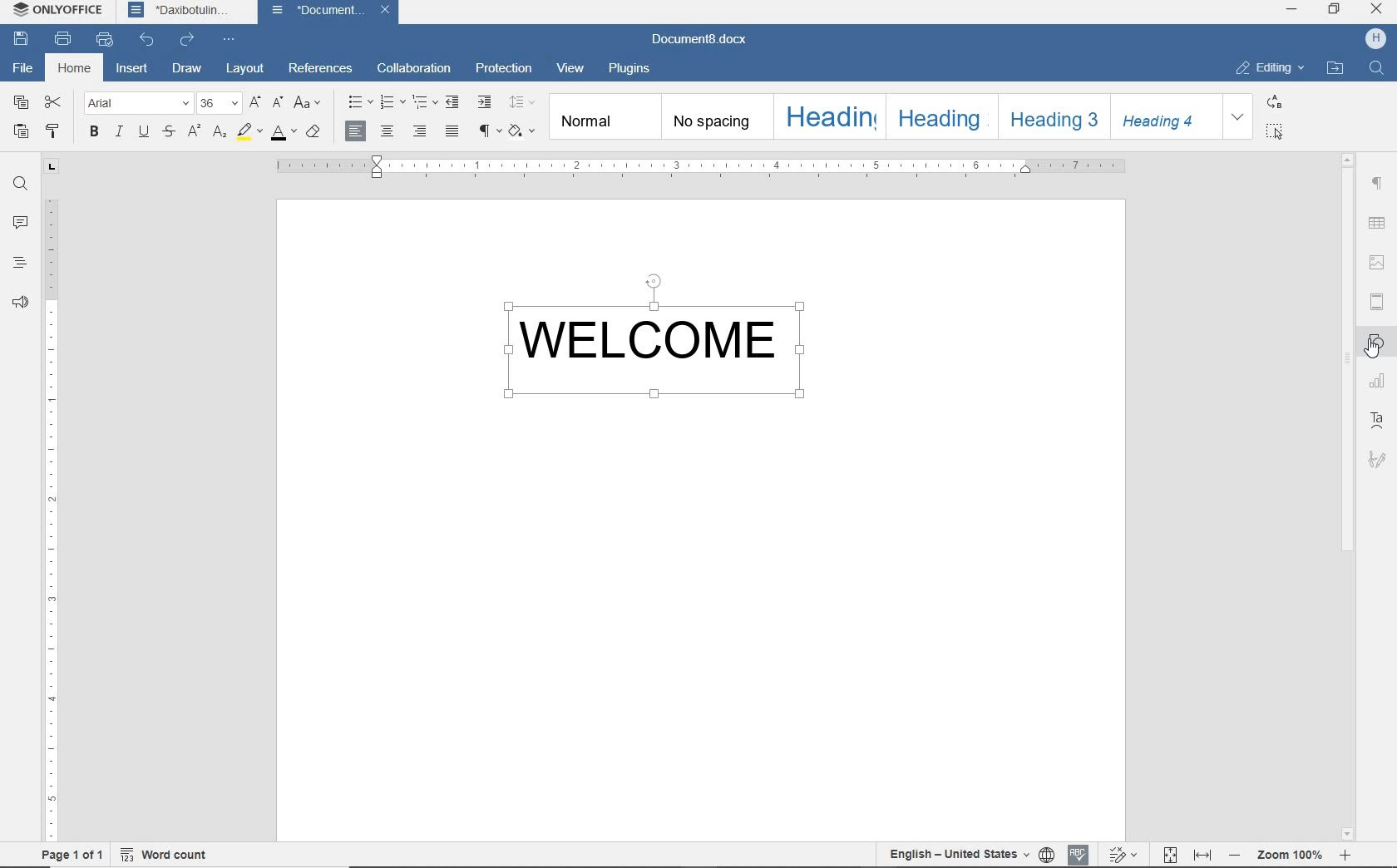 The height and width of the screenshot is (868, 1397). Describe the element at coordinates (309, 103) in the screenshot. I see `CHANGE CASE` at that location.